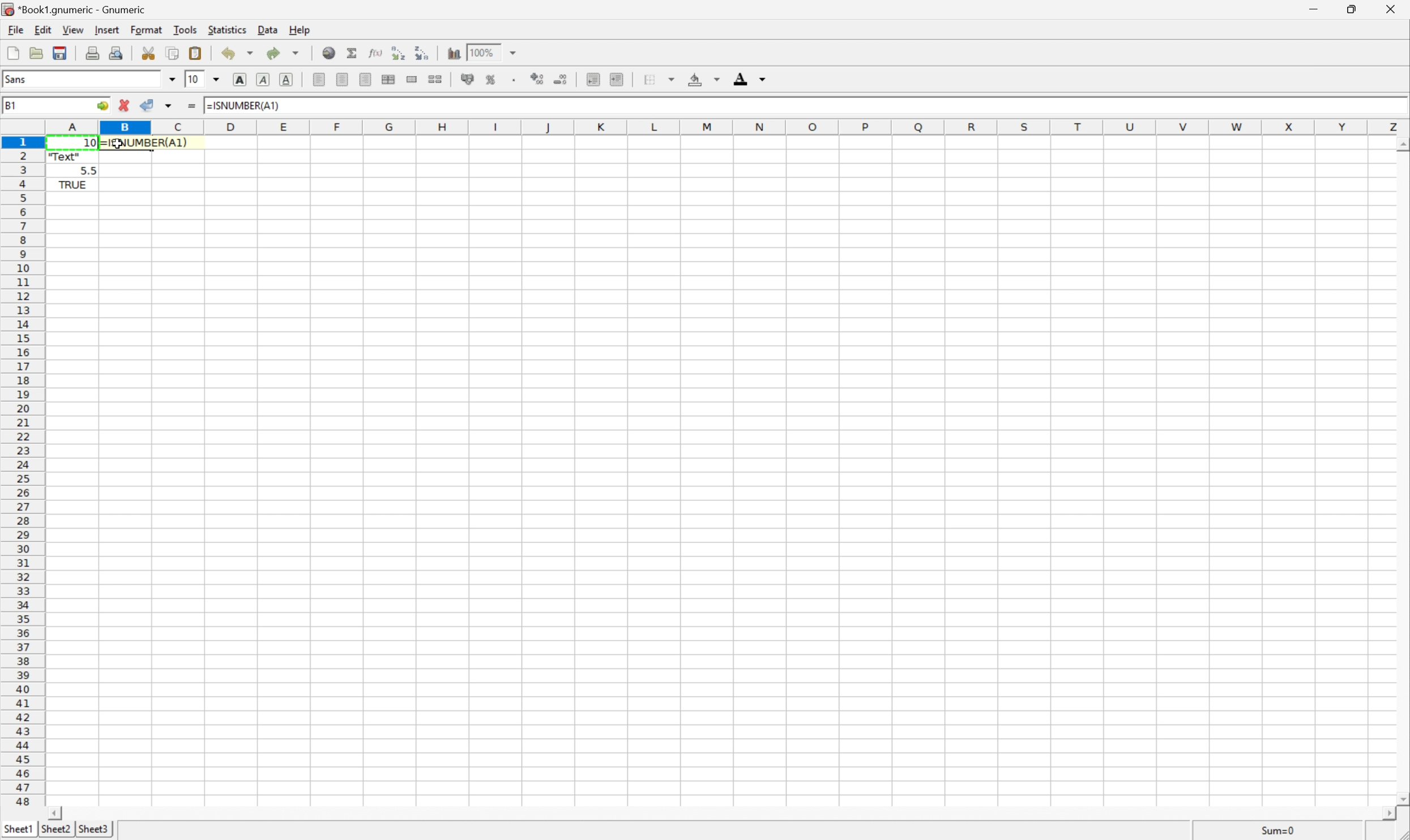 The height and width of the screenshot is (840, 1410). I want to click on Sheet1, so click(17, 830).